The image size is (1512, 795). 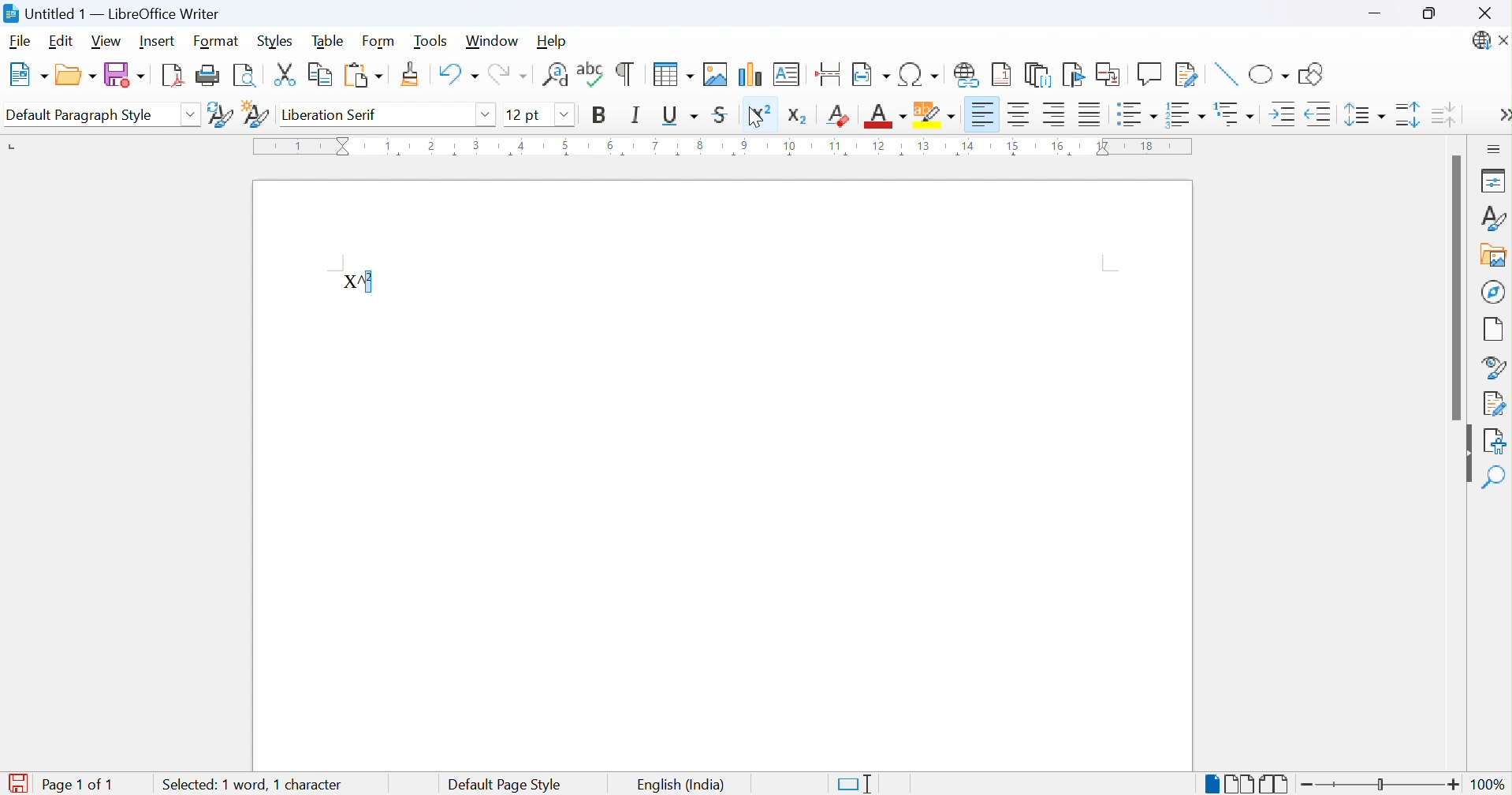 What do you see at coordinates (750, 75) in the screenshot?
I see `Insert chart` at bounding box center [750, 75].